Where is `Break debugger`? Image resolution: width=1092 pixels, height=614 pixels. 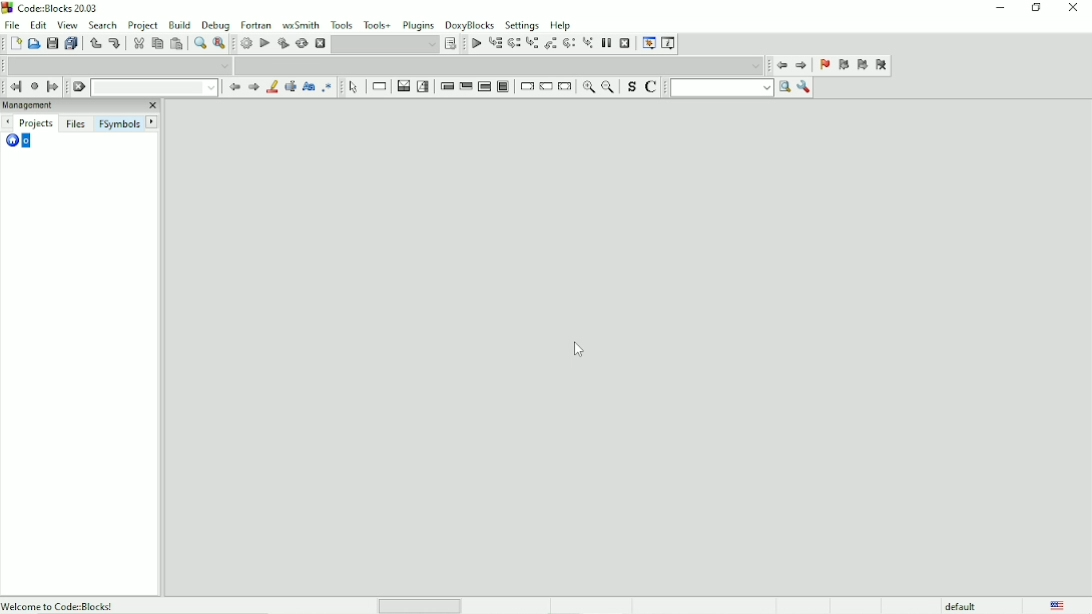
Break debugger is located at coordinates (607, 42).